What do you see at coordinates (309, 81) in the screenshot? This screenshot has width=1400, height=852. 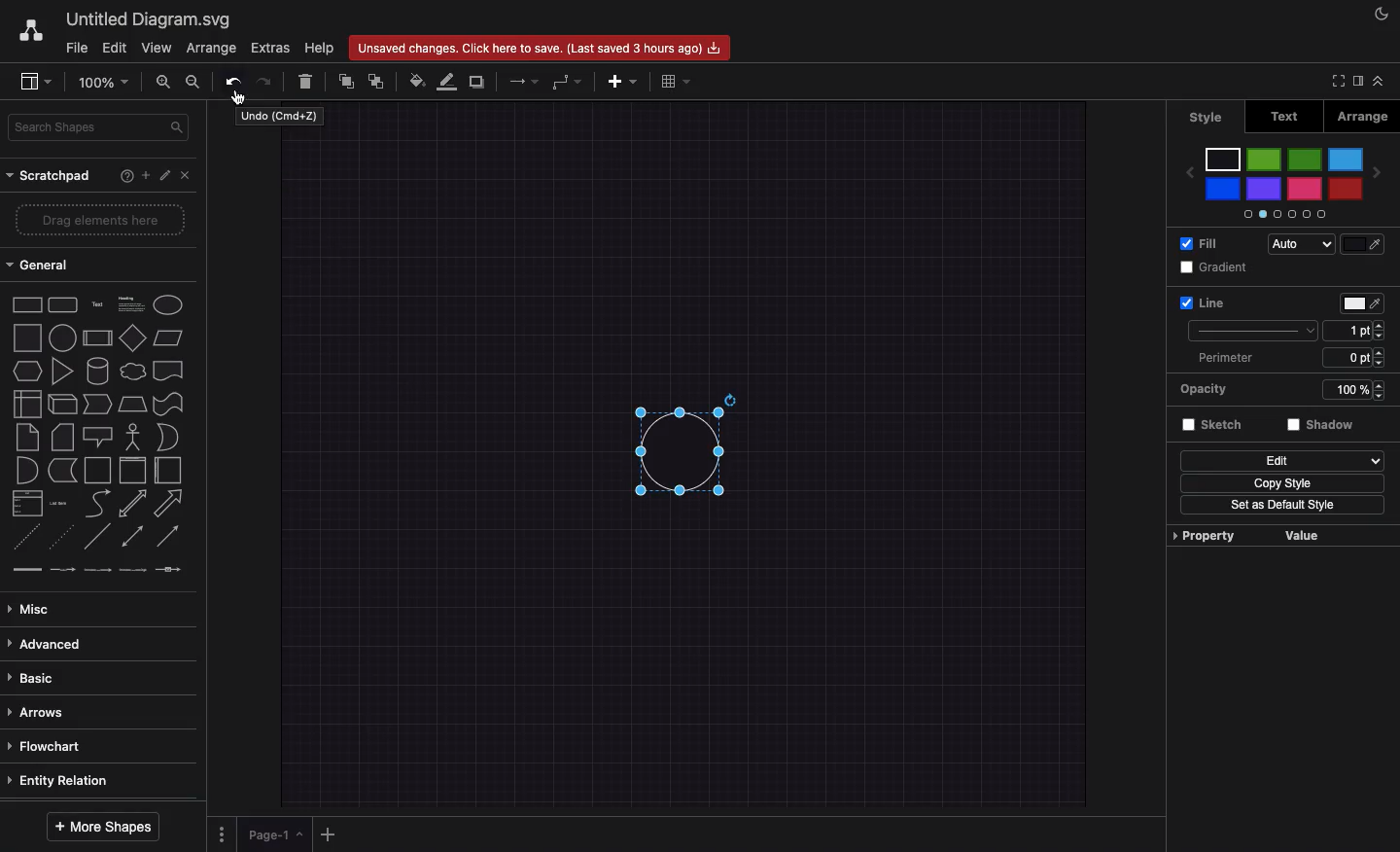 I see `Delete` at bounding box center [309, 81].